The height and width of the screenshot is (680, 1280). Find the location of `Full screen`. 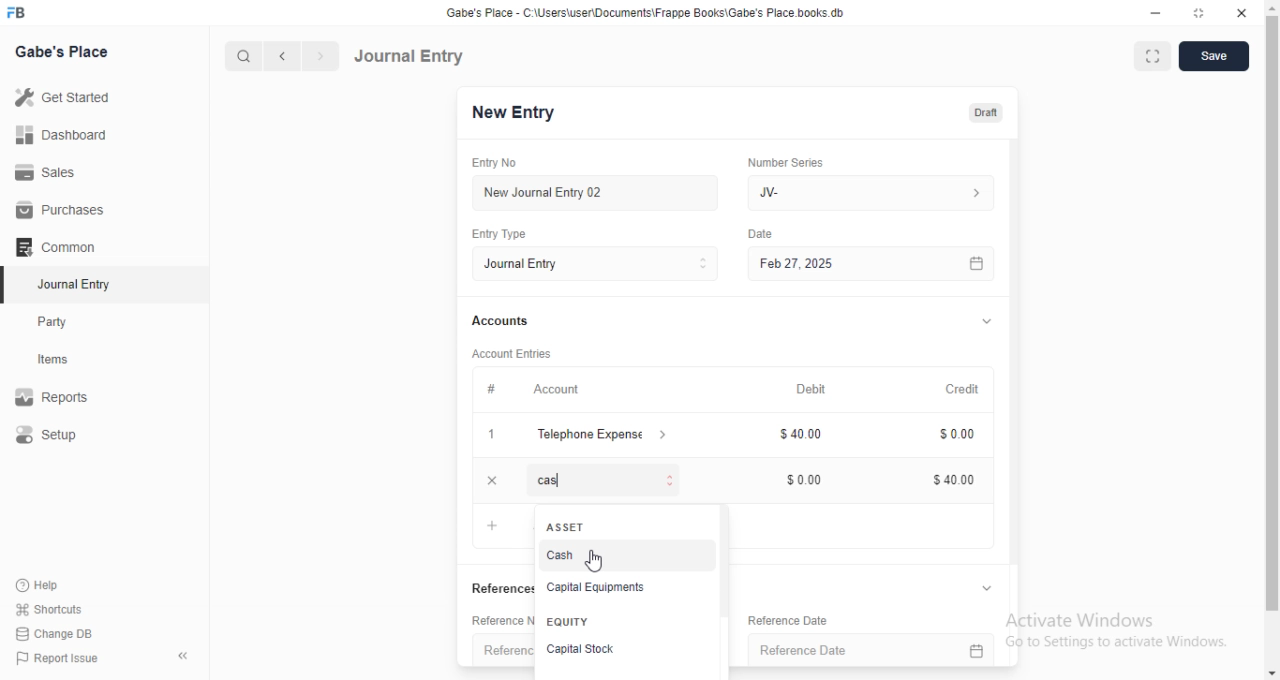

Full screen is located at coordinates (1197, 13).